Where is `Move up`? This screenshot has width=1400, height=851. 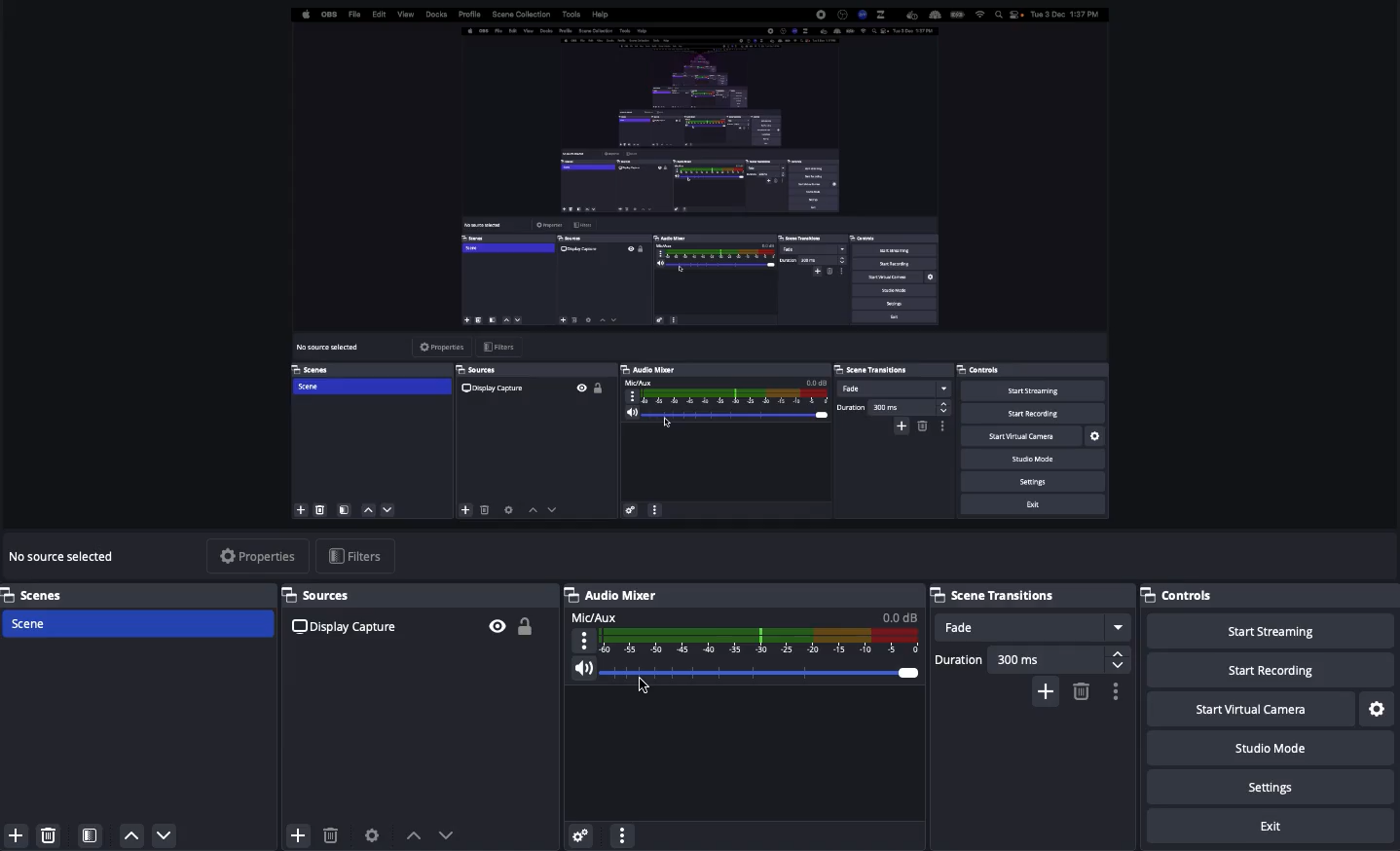 Move up is located at coordinates (414, 834).